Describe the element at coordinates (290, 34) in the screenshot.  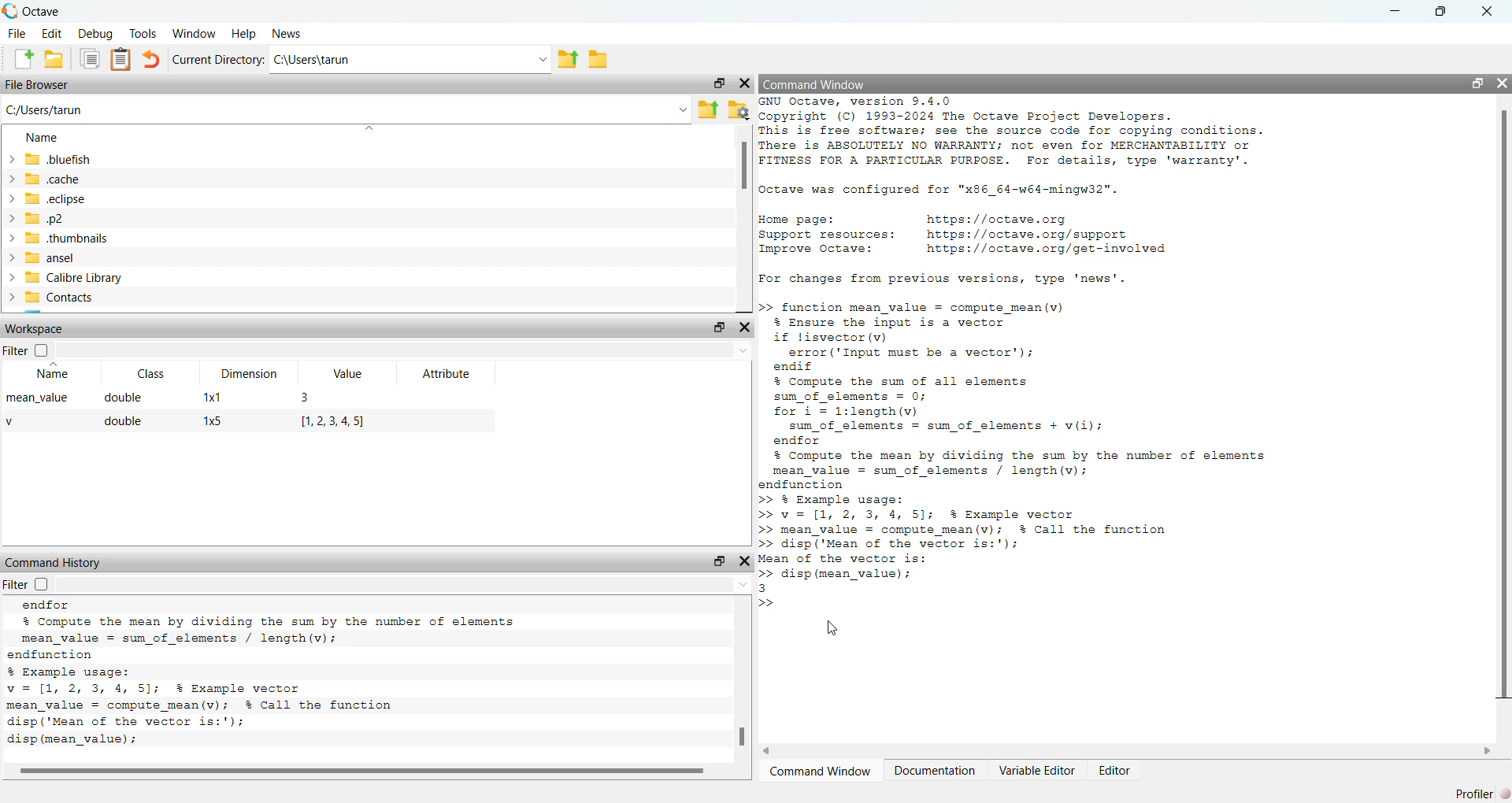
I see `news` at that location.